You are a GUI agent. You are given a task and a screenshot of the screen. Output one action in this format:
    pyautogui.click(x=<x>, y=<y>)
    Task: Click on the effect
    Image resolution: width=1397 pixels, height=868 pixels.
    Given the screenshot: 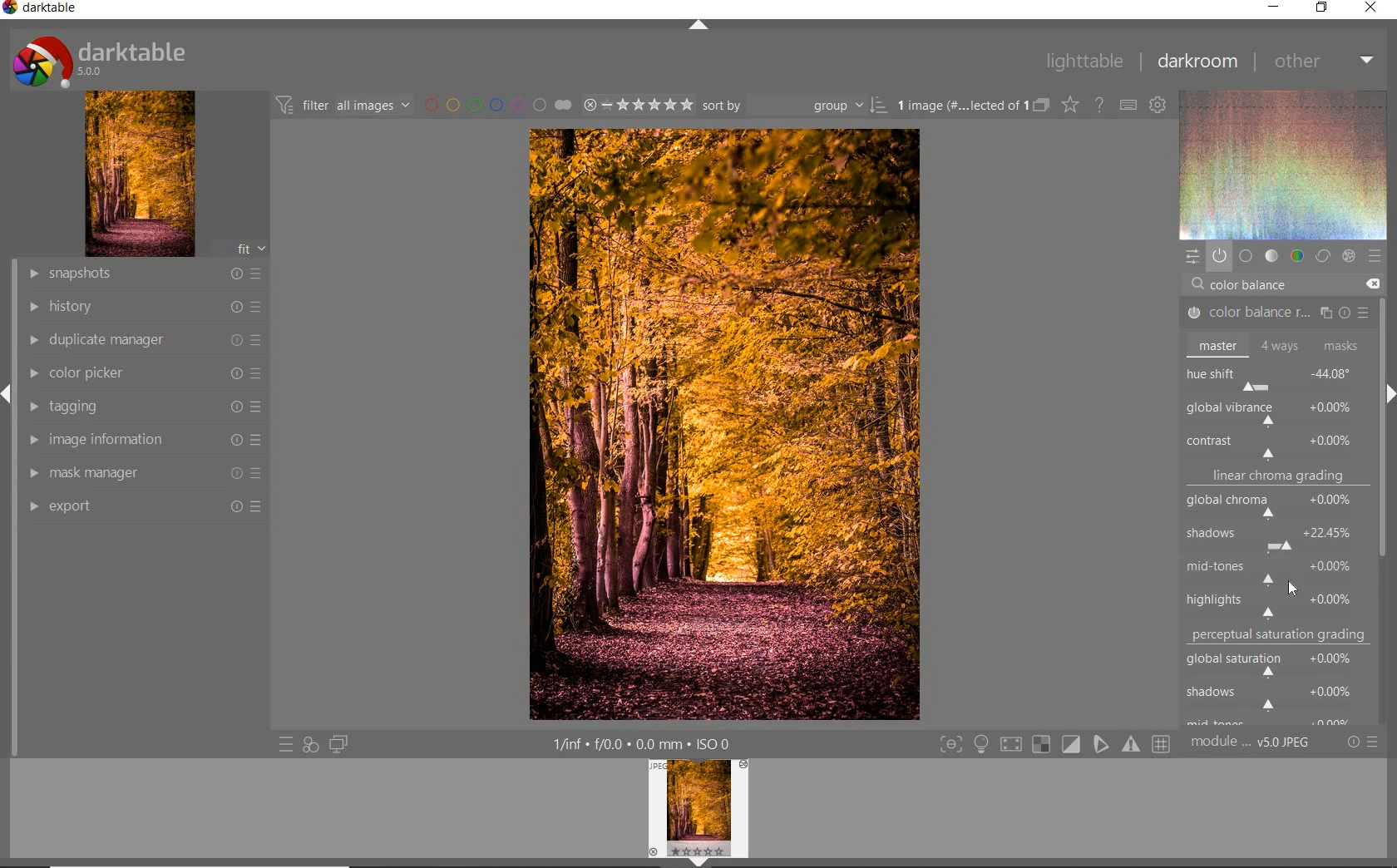 What is the action you would take?
    pyautogui.click(x=1349, y=254)
    